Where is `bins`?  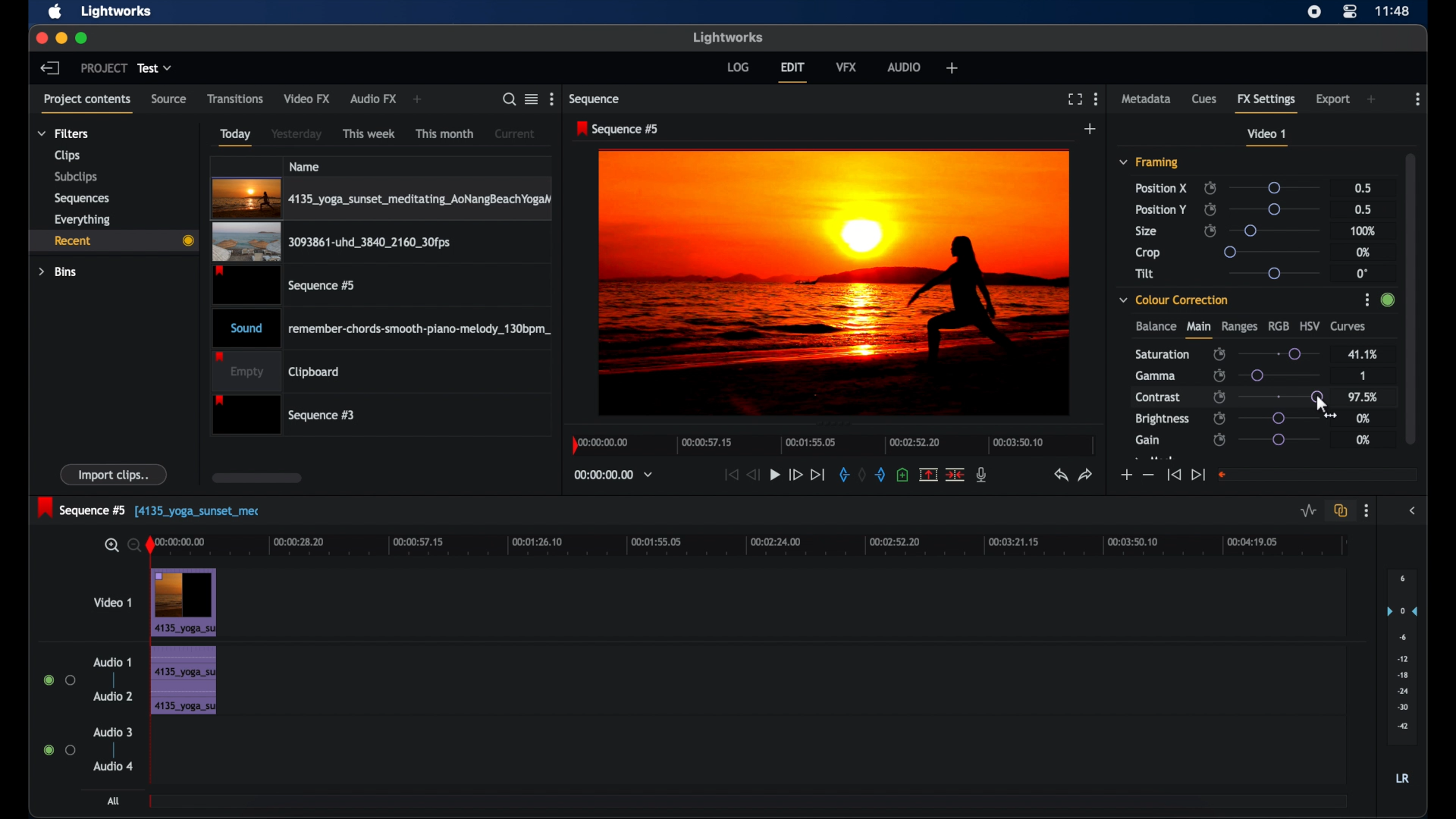 bins is located at coordinates (58, 271).